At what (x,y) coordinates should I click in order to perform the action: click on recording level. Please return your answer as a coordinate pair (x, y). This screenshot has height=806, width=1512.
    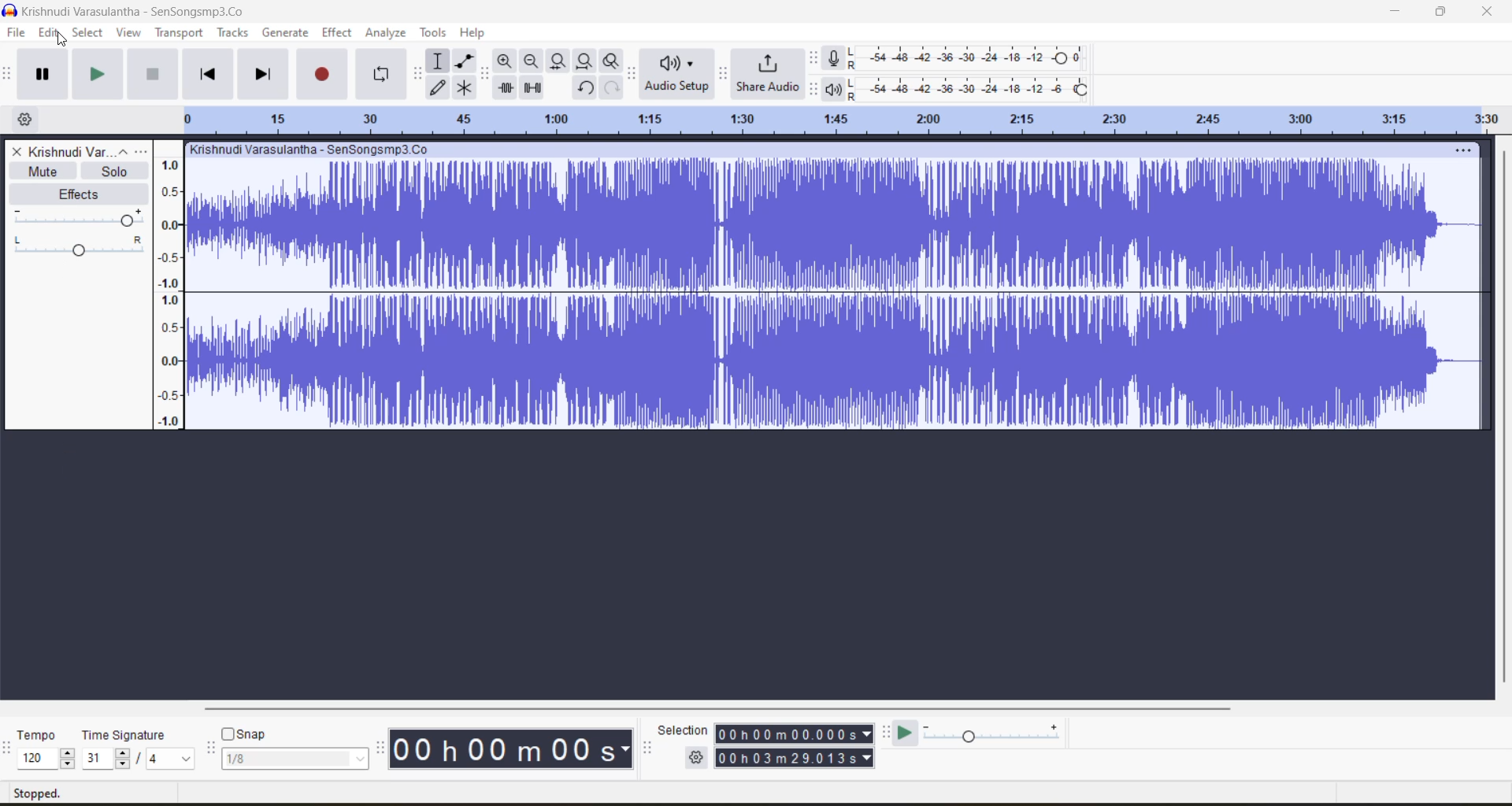
    Looking at the image, I should click on (968, 58).